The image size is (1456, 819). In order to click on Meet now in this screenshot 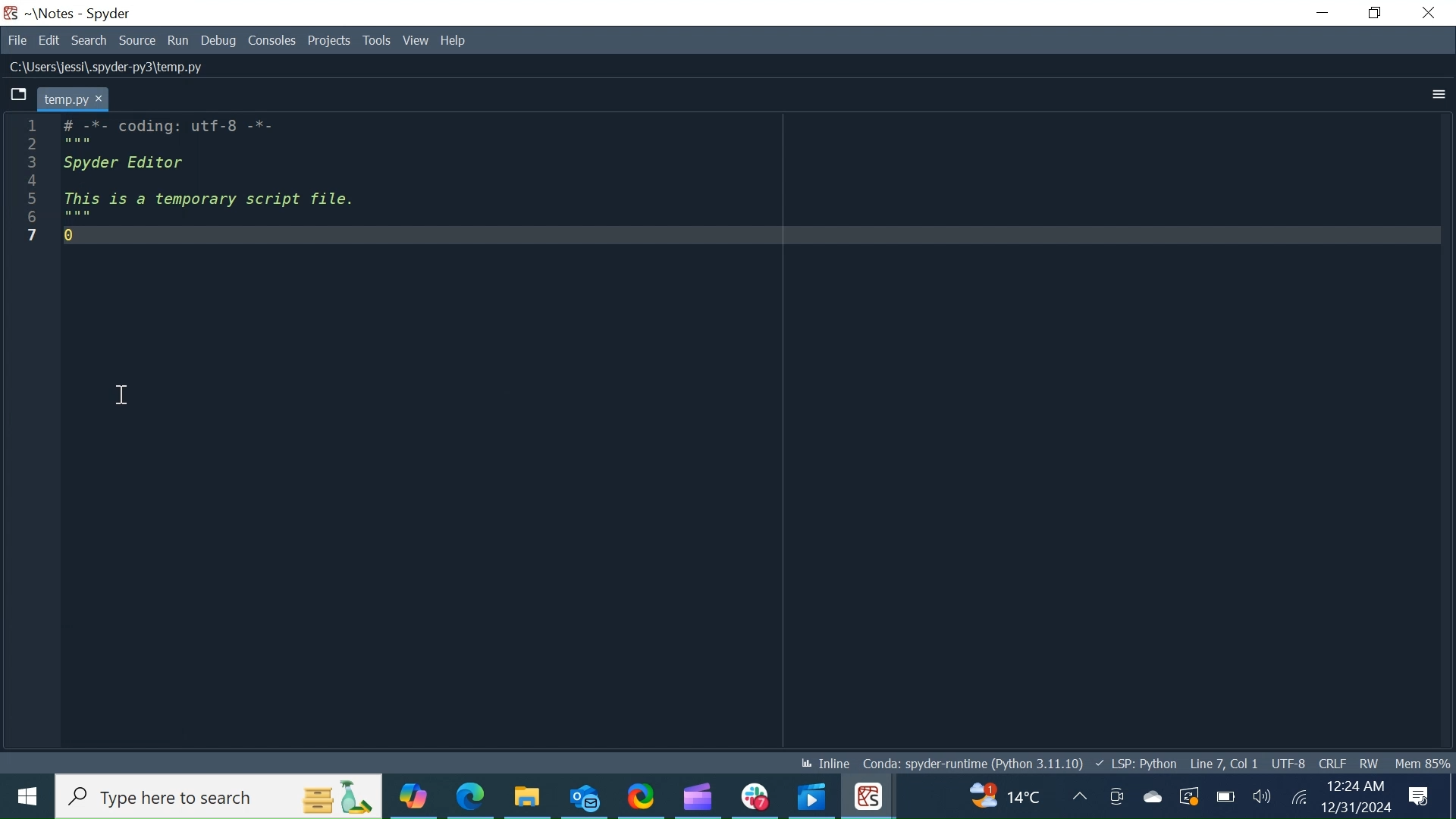, I will do `click(1117, 795)`.